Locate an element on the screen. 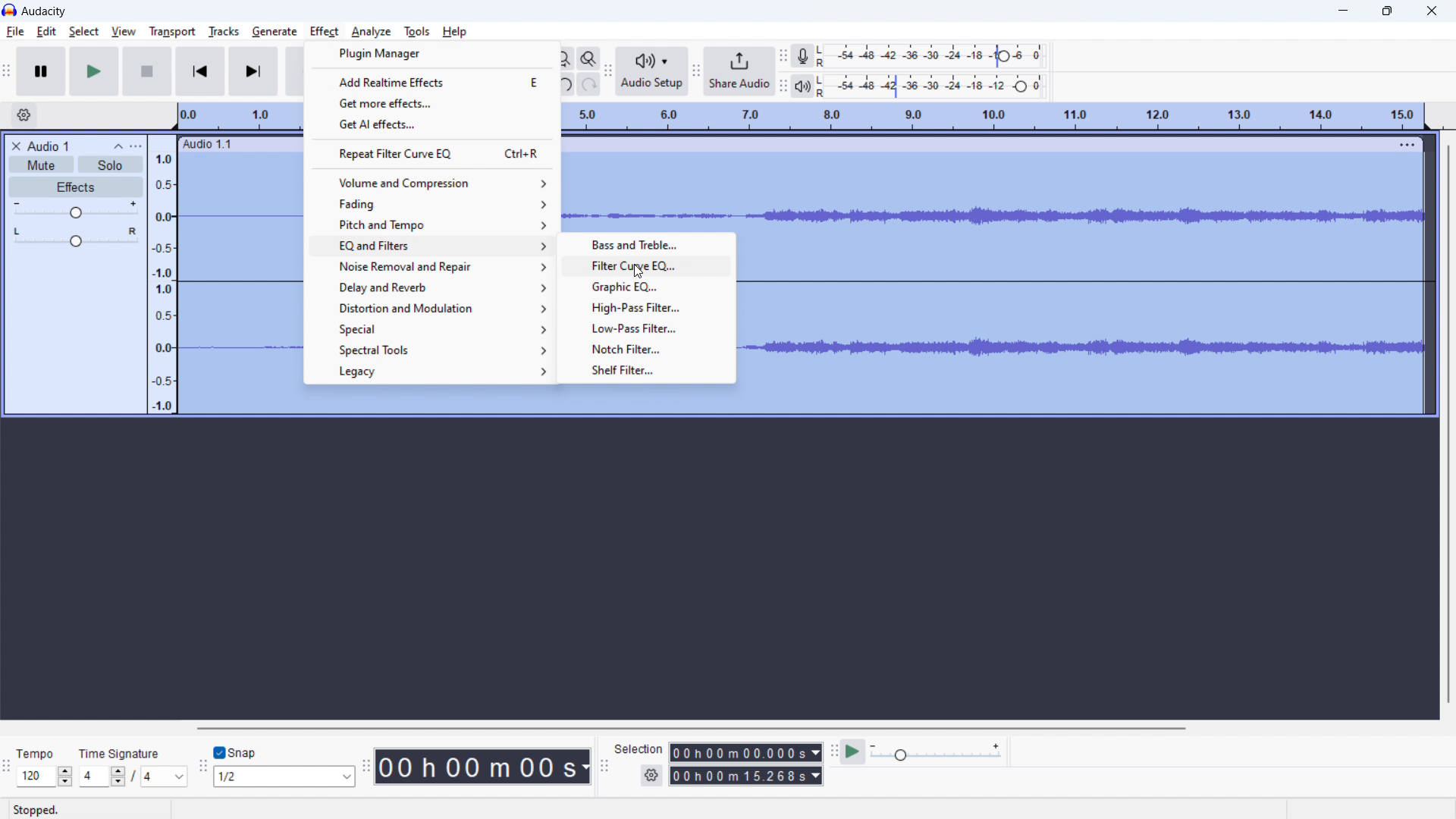 Image resolution: width=1456 pixels, height=819 pixels. timeline settings is located at coordinates (24, 115).